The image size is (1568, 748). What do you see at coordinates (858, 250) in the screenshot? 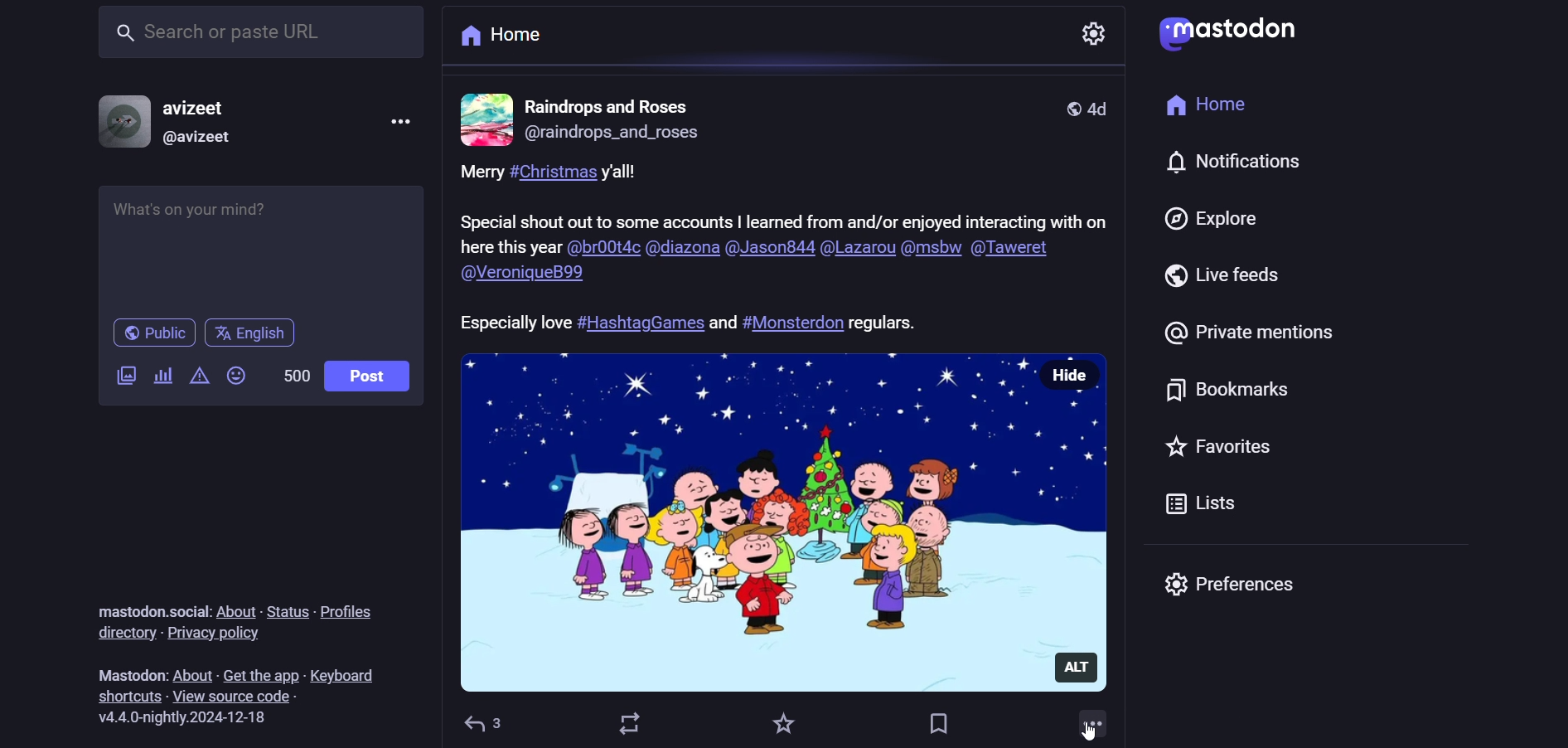
I see `@lazarou` at bounding box center [858, 250].